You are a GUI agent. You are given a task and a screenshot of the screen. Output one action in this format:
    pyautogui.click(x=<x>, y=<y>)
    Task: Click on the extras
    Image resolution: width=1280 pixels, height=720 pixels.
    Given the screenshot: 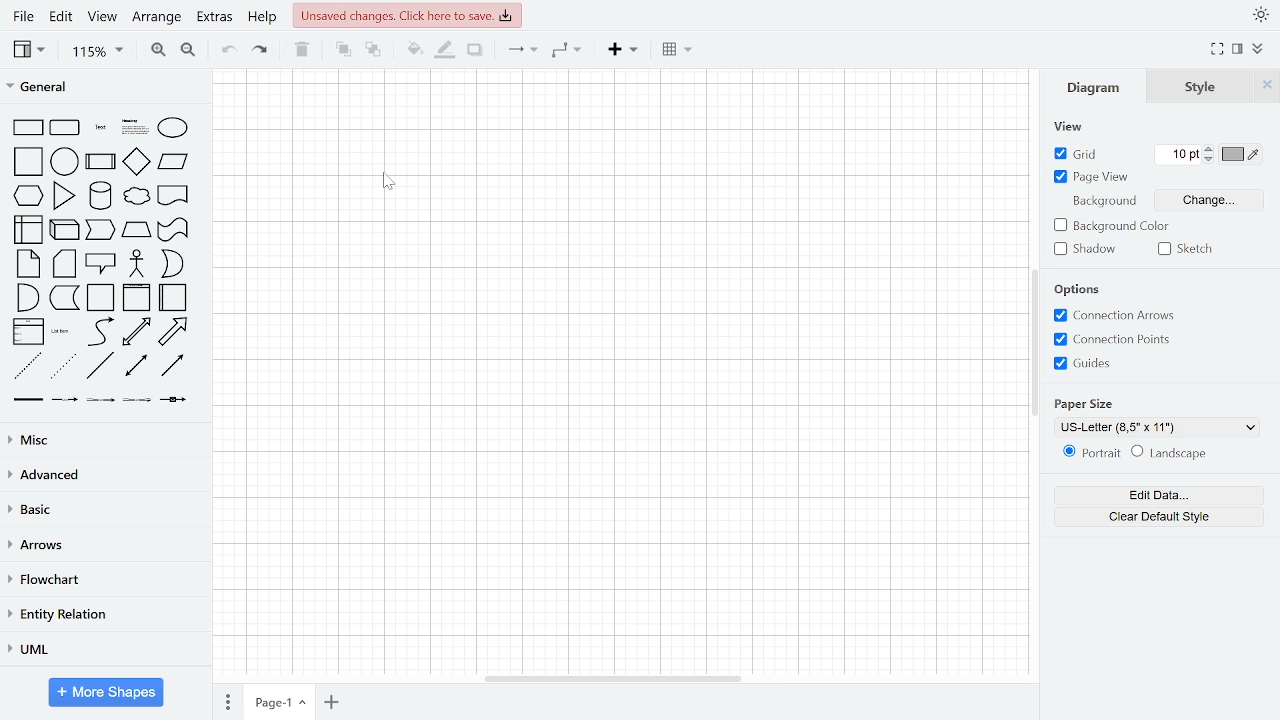 What is the action you would take?
    pyautogui.click(x=217, y=19)
    